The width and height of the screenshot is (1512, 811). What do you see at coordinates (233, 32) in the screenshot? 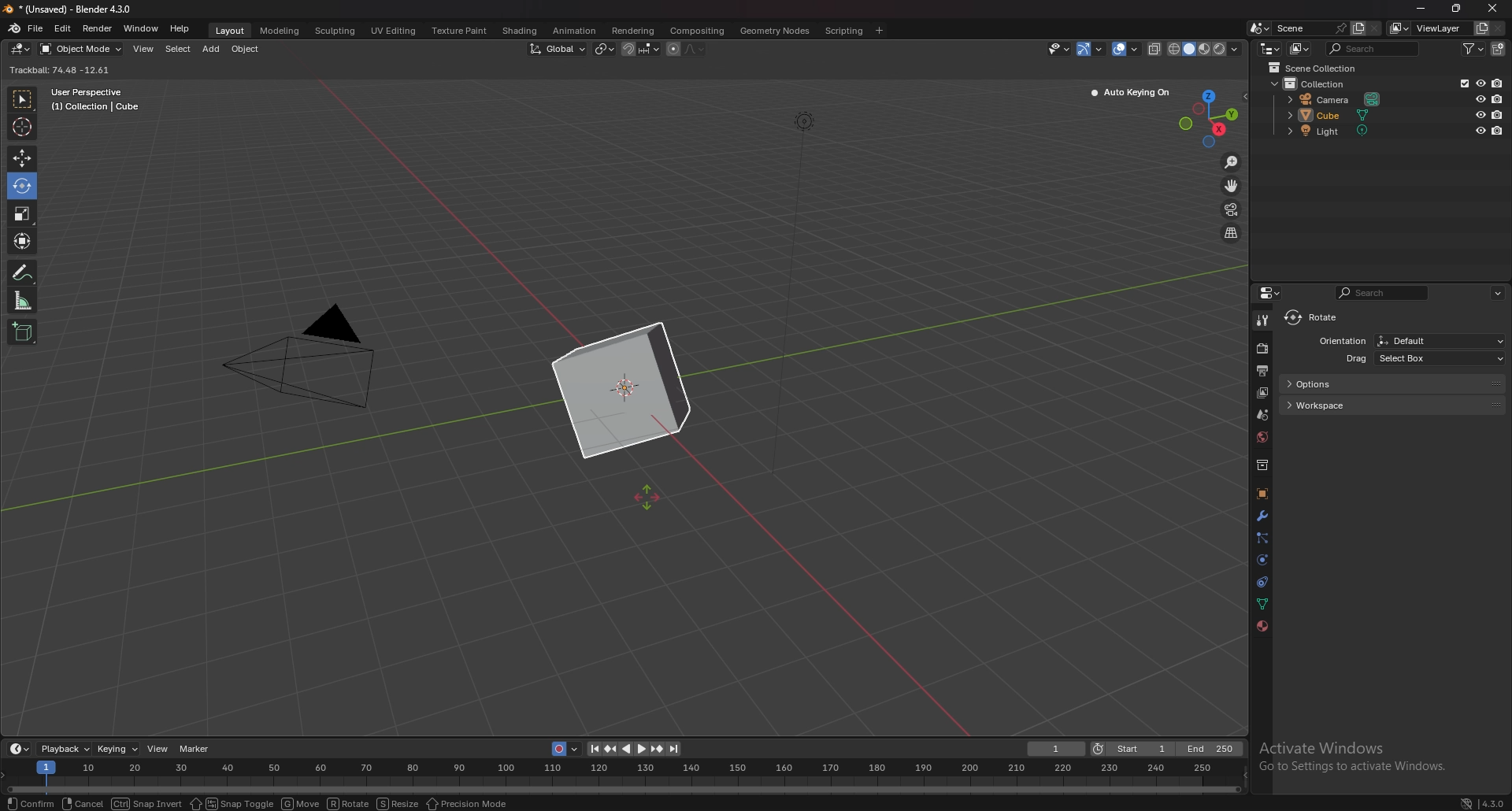
I see `layout` at bounding box center [233, 32].